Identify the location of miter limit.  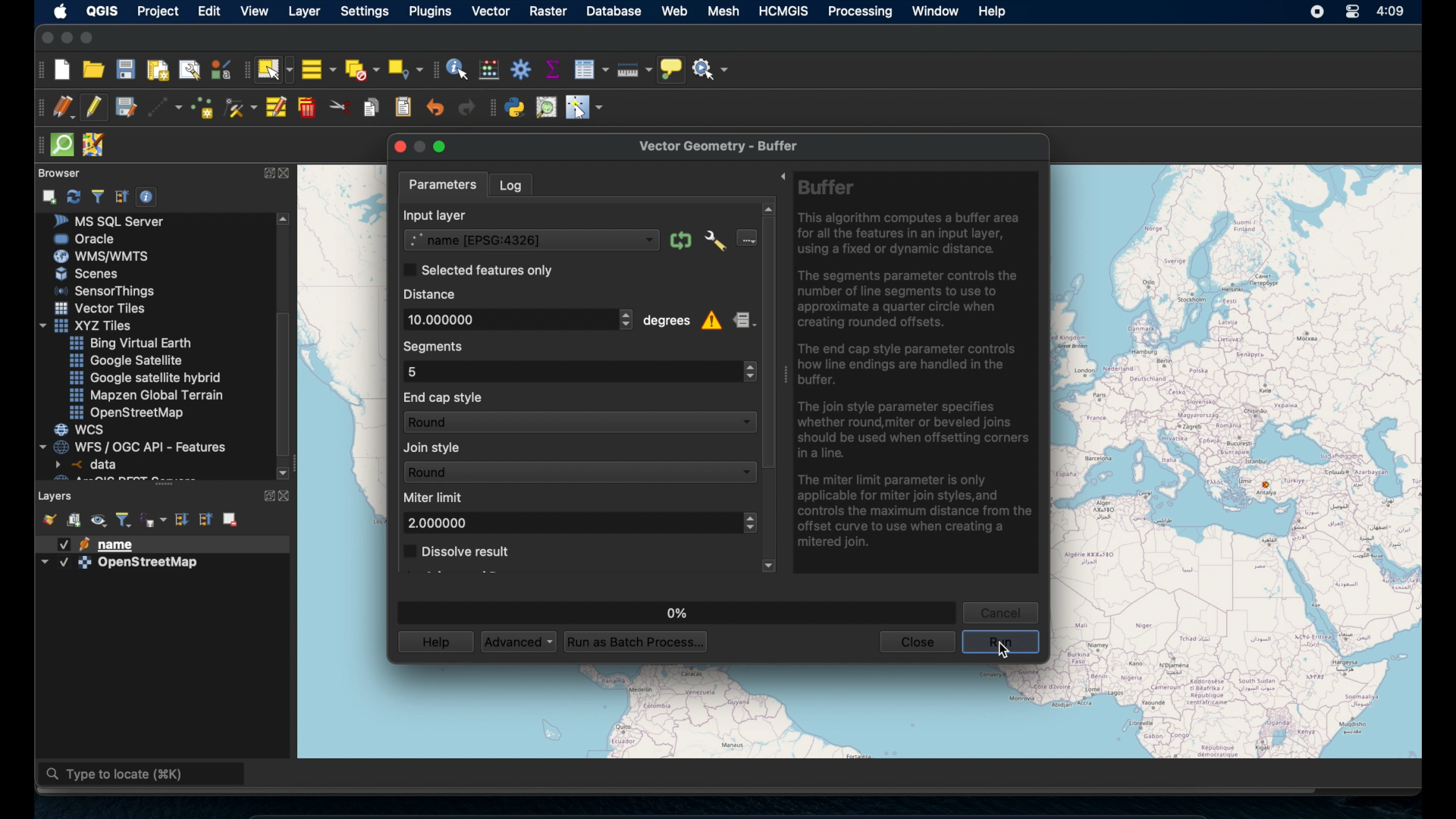
(435, 497).